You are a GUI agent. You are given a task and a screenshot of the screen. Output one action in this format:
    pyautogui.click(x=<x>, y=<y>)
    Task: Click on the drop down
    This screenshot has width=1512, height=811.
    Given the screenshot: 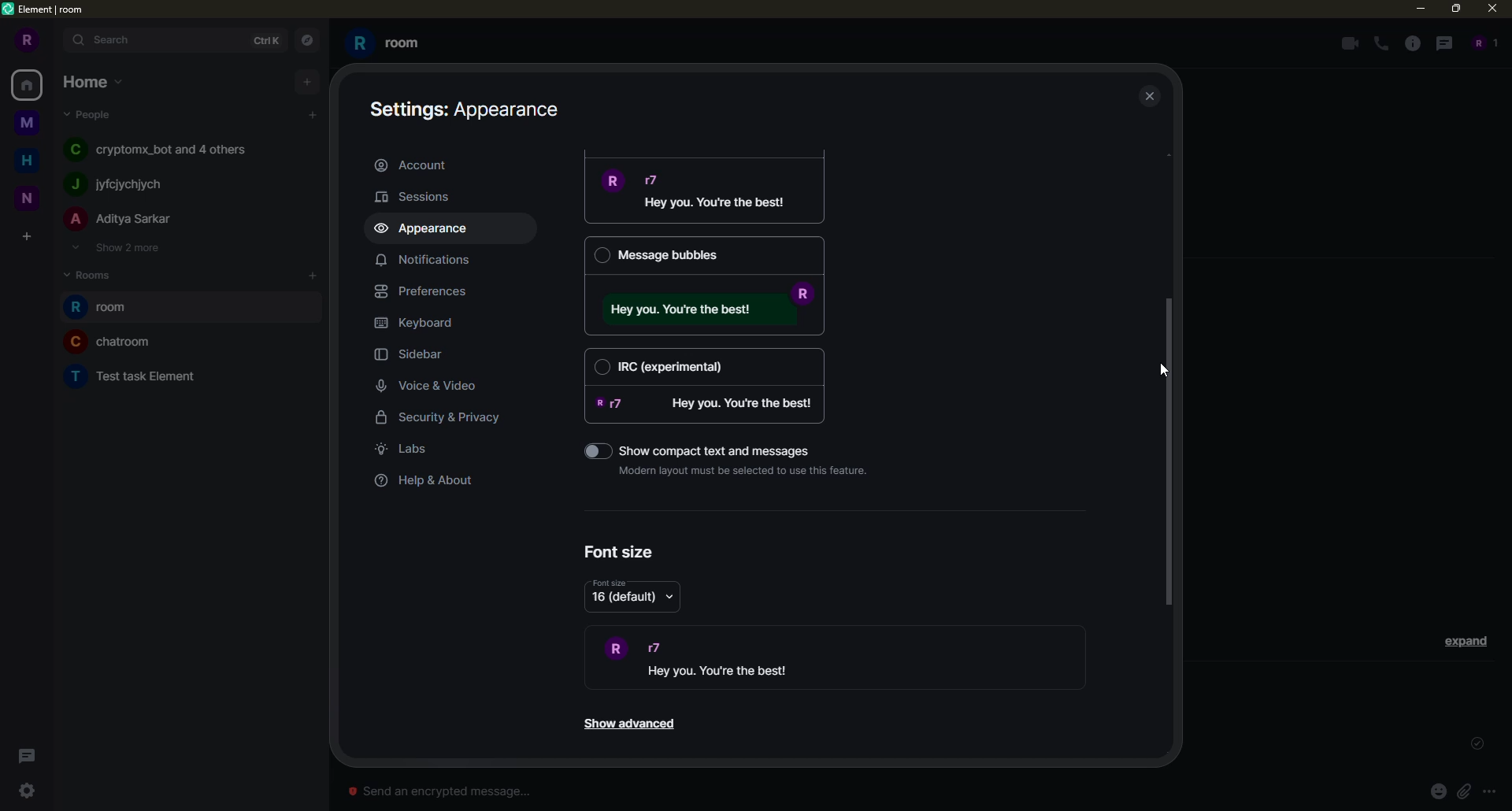 What is the action you would take?
    pyautogui.click(x=671, y=596)
    